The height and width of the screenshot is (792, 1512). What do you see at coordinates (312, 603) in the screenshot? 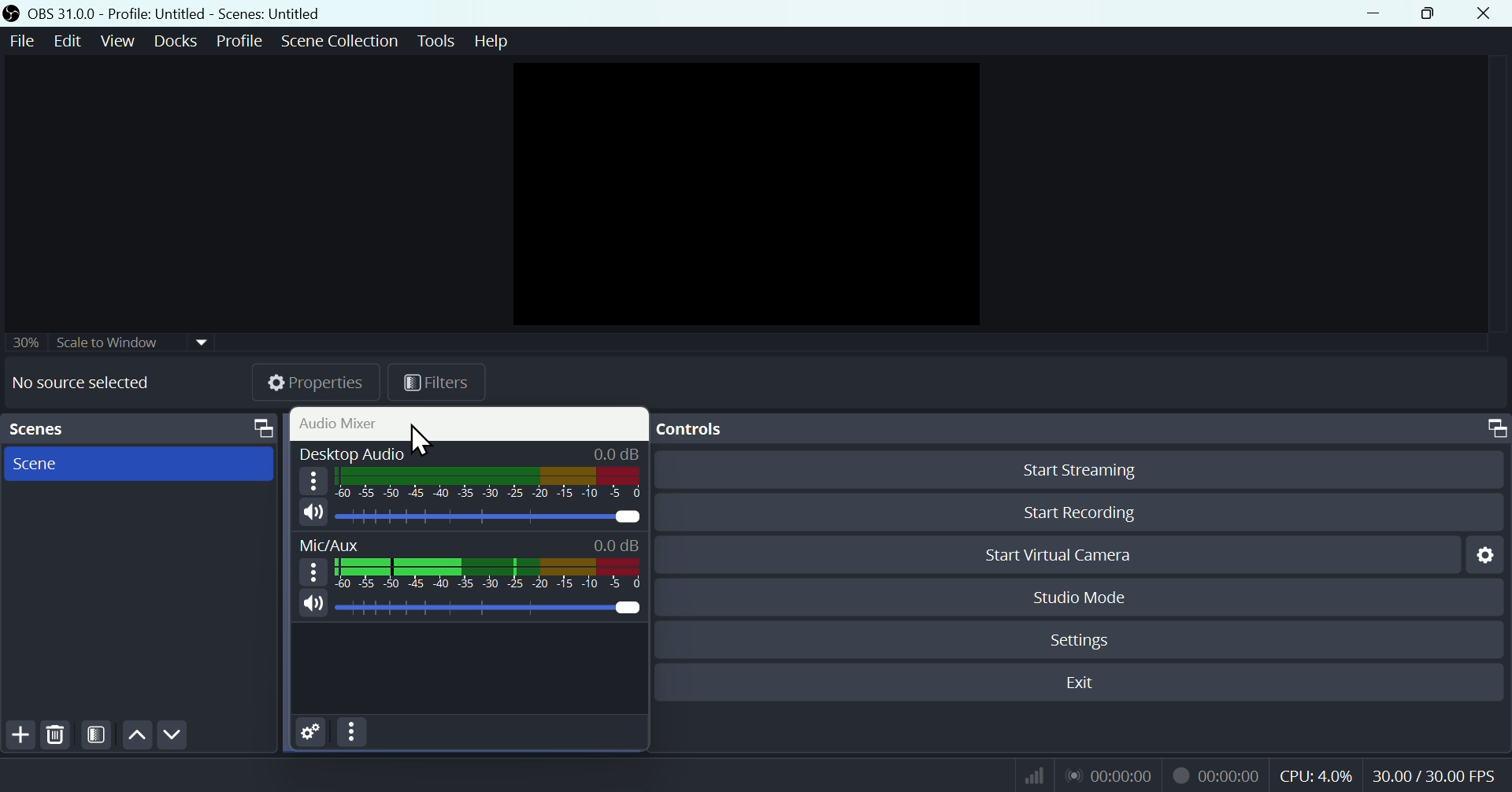
I see `(un)mute` at bounding box center [312, 603].